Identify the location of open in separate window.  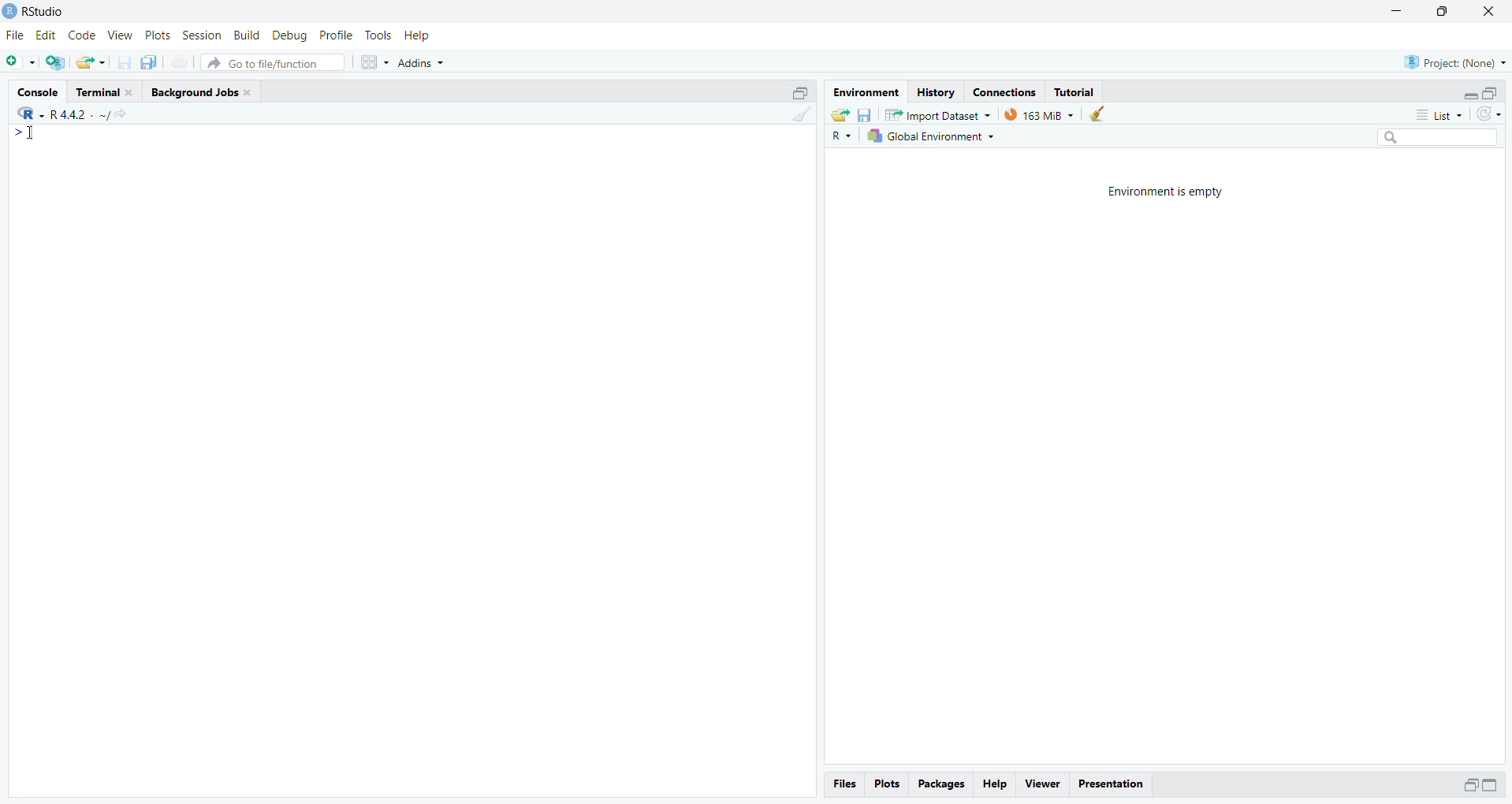
(1472, 784).